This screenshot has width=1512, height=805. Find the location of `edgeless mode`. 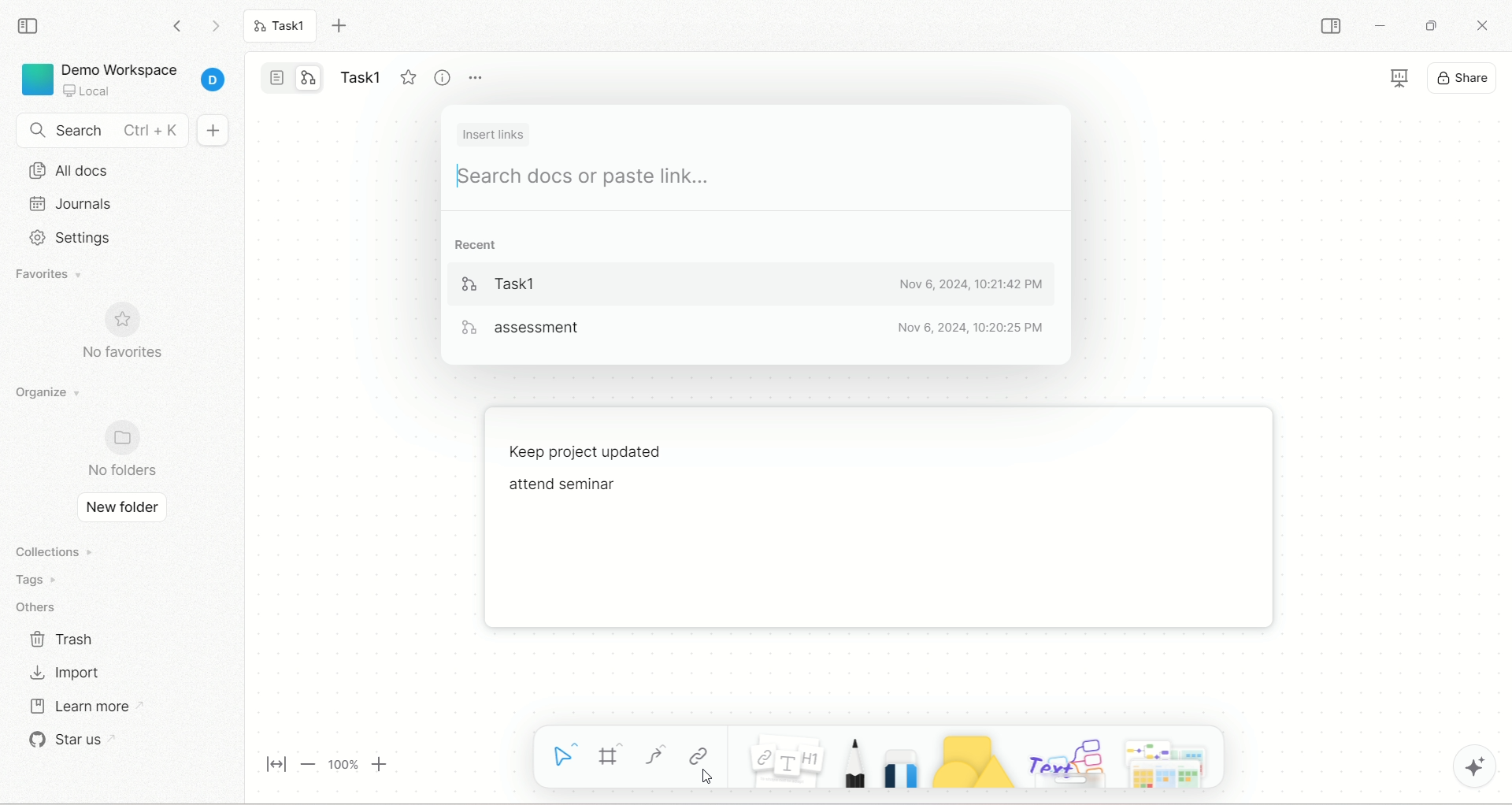

edgeless mode is located at coordinates (308, 78).